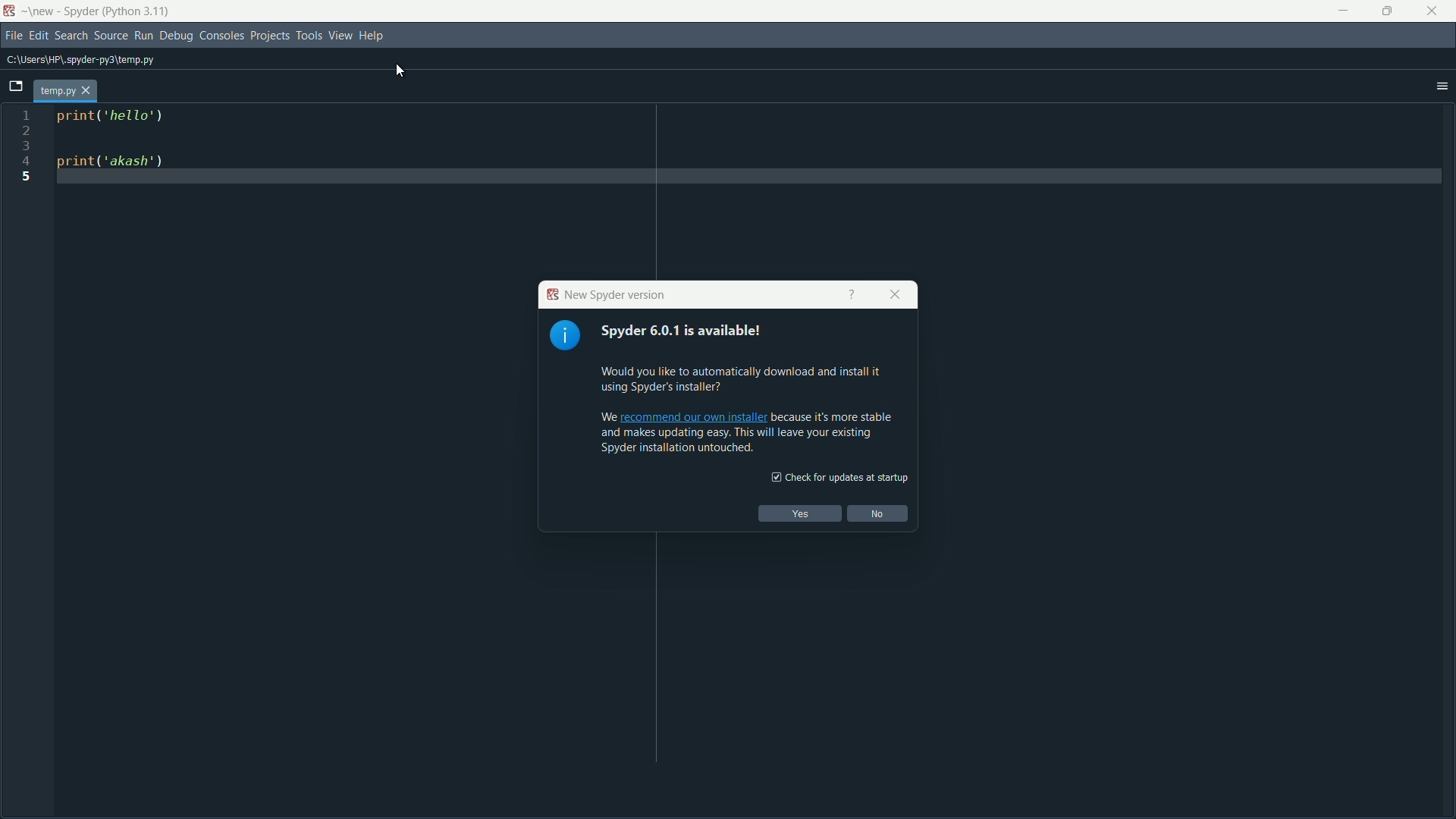 This screenshot has width=1456, height=819. What do you see at coordinates (703, 331) in the screenshot?
I see `spyder 6.0.1 is available` at bounding box center [703, 331].